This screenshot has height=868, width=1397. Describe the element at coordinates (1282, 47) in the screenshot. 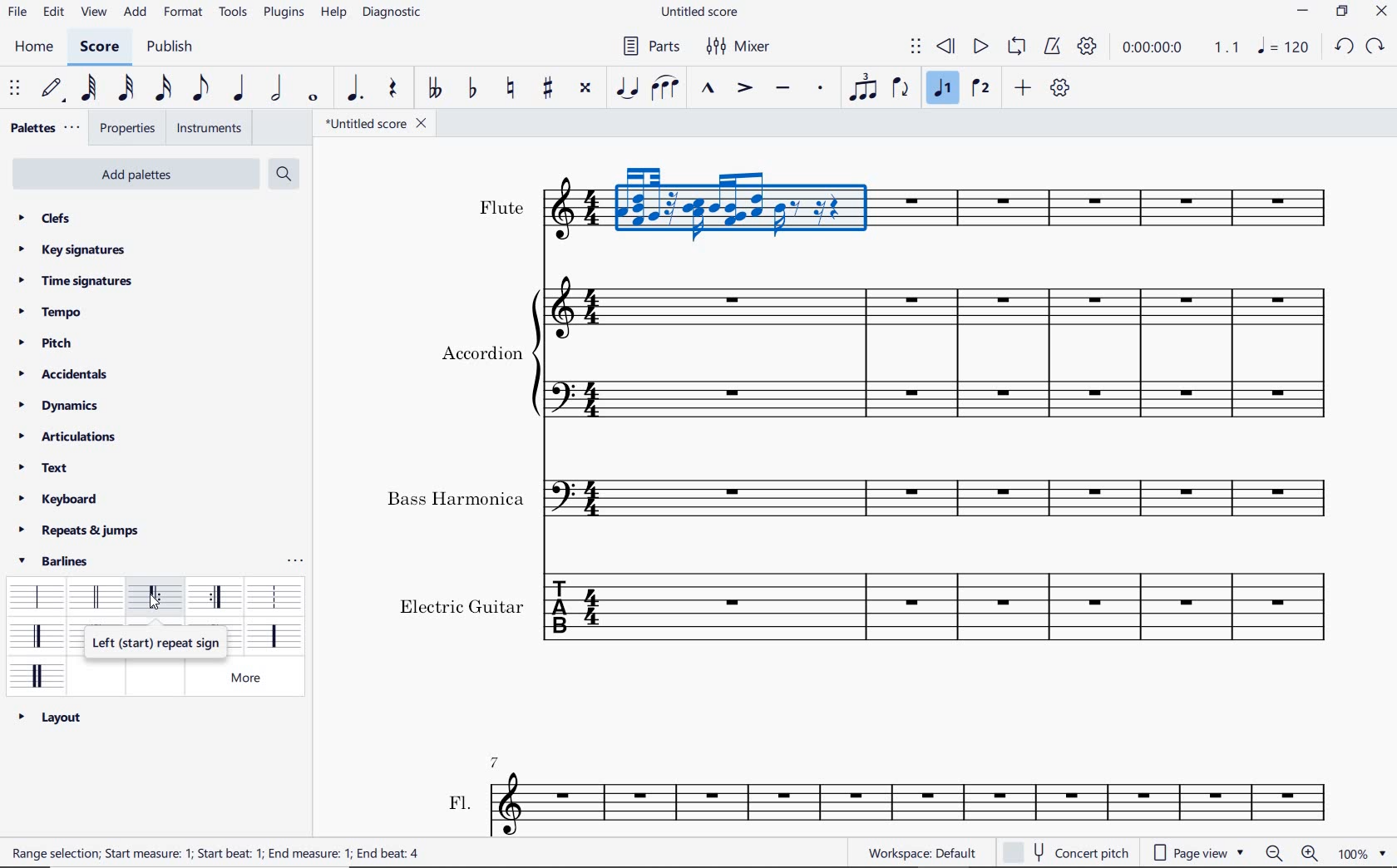

I see `NOTE` at that location.